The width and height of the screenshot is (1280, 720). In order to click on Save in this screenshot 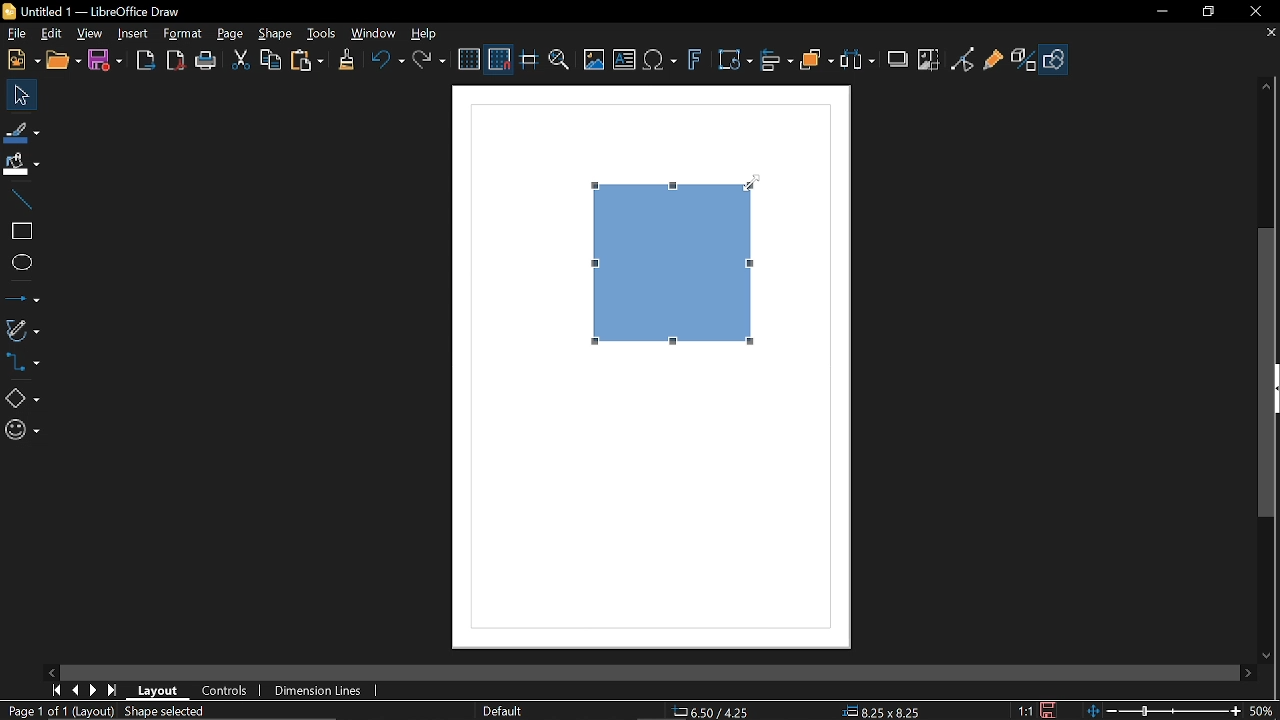, I will do `click(1050, 711)`.